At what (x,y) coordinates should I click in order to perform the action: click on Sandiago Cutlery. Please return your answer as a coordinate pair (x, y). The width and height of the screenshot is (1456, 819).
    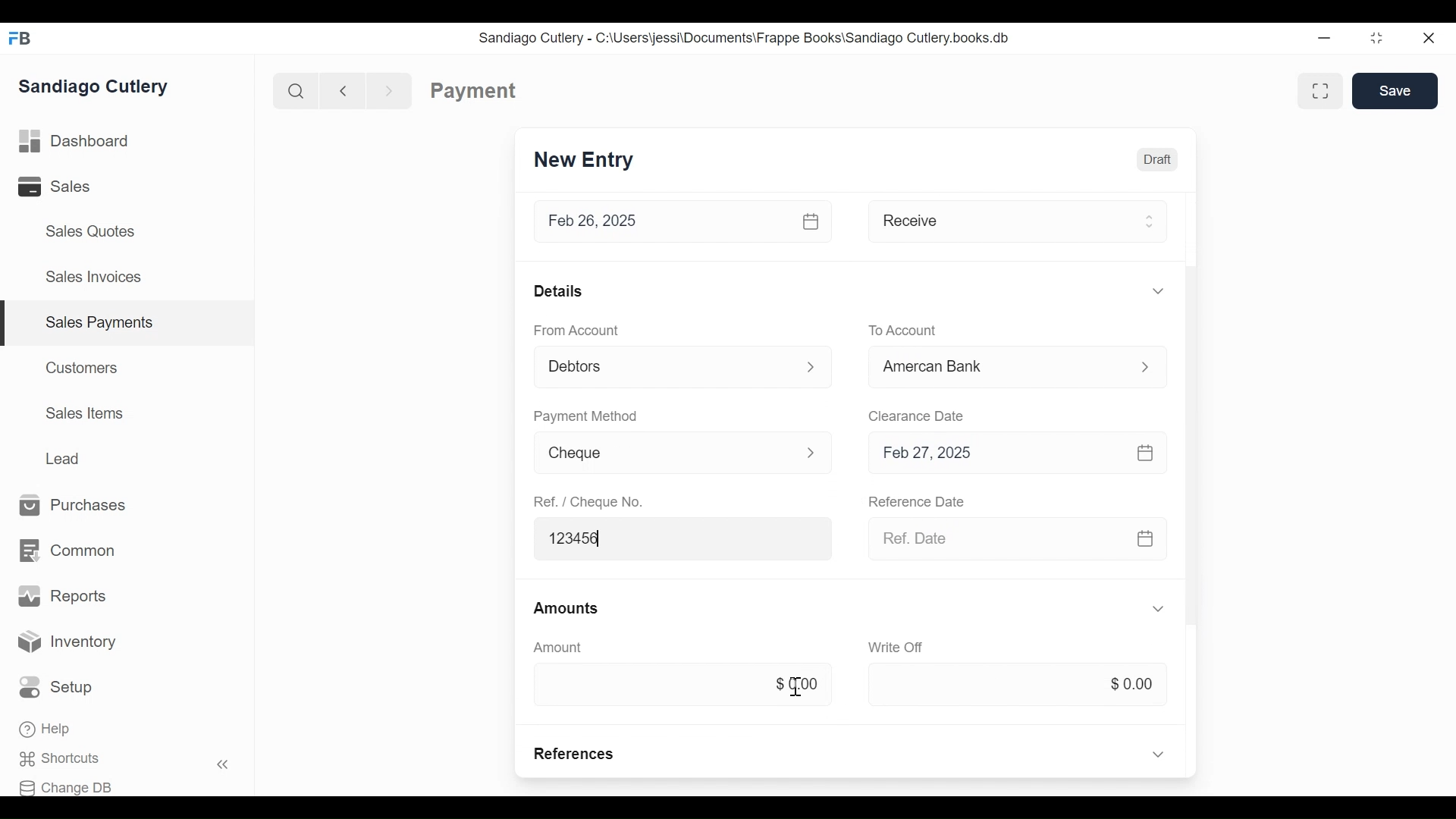
    Looking at the image, I should click on (96, 86).